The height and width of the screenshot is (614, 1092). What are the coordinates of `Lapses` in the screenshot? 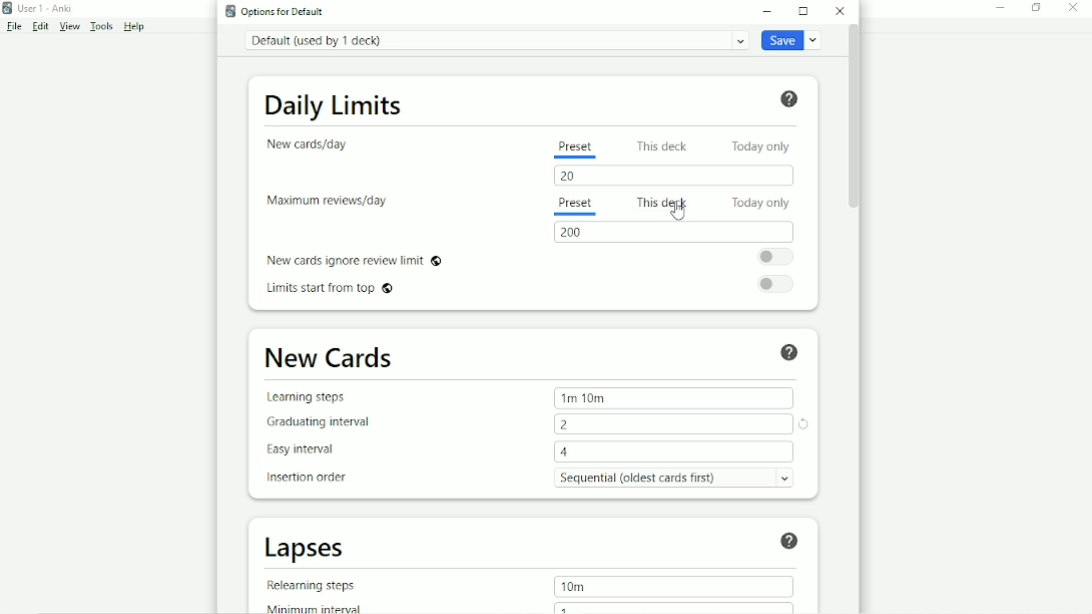 It's located at (313, 548).